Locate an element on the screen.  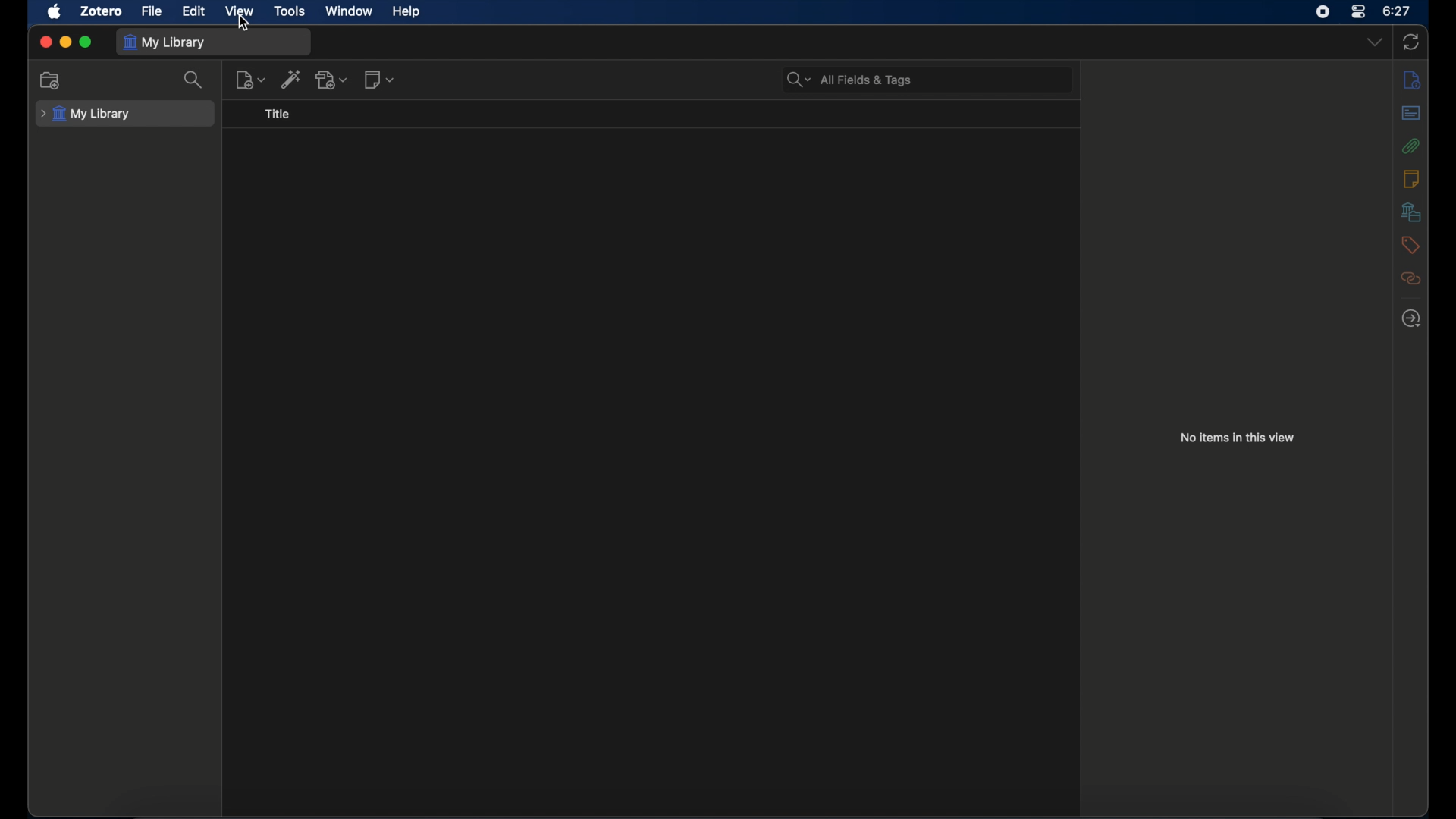
close is located at coordinates (45, 43).